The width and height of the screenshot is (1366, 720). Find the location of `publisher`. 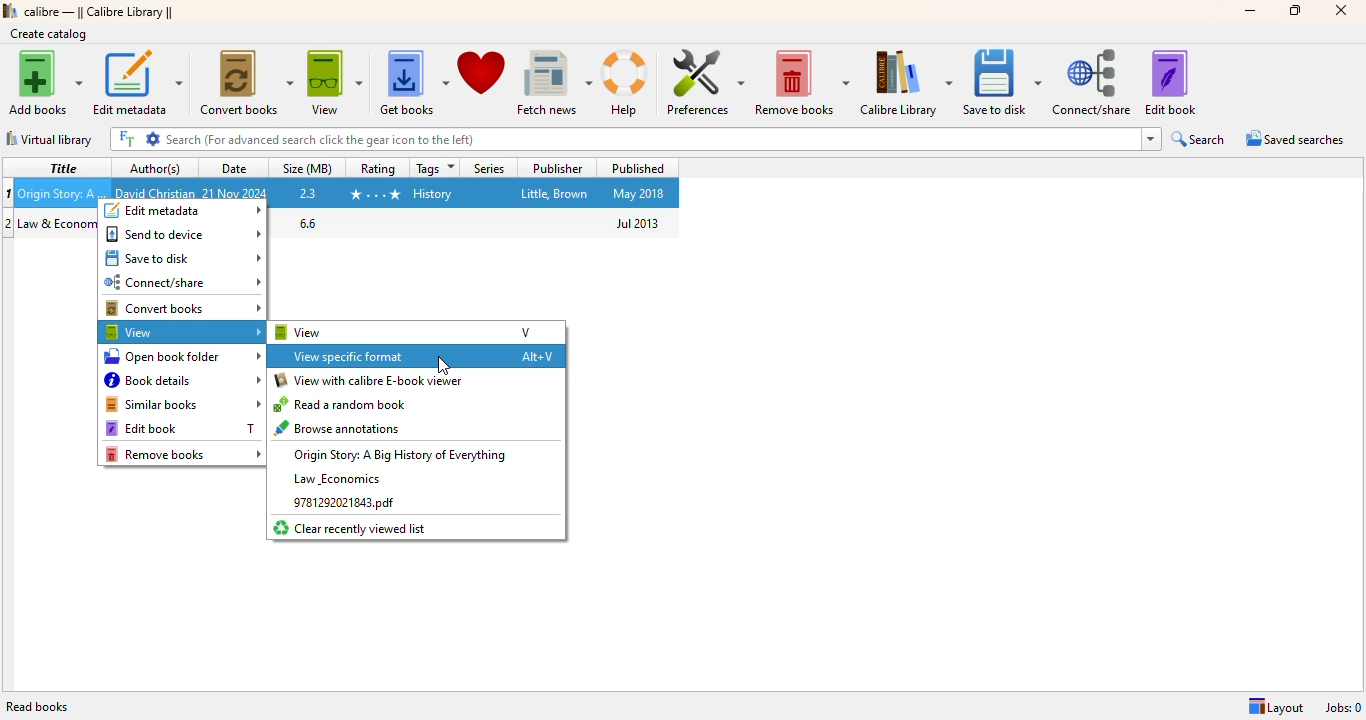

publisher is located at coordinates (557, 168).